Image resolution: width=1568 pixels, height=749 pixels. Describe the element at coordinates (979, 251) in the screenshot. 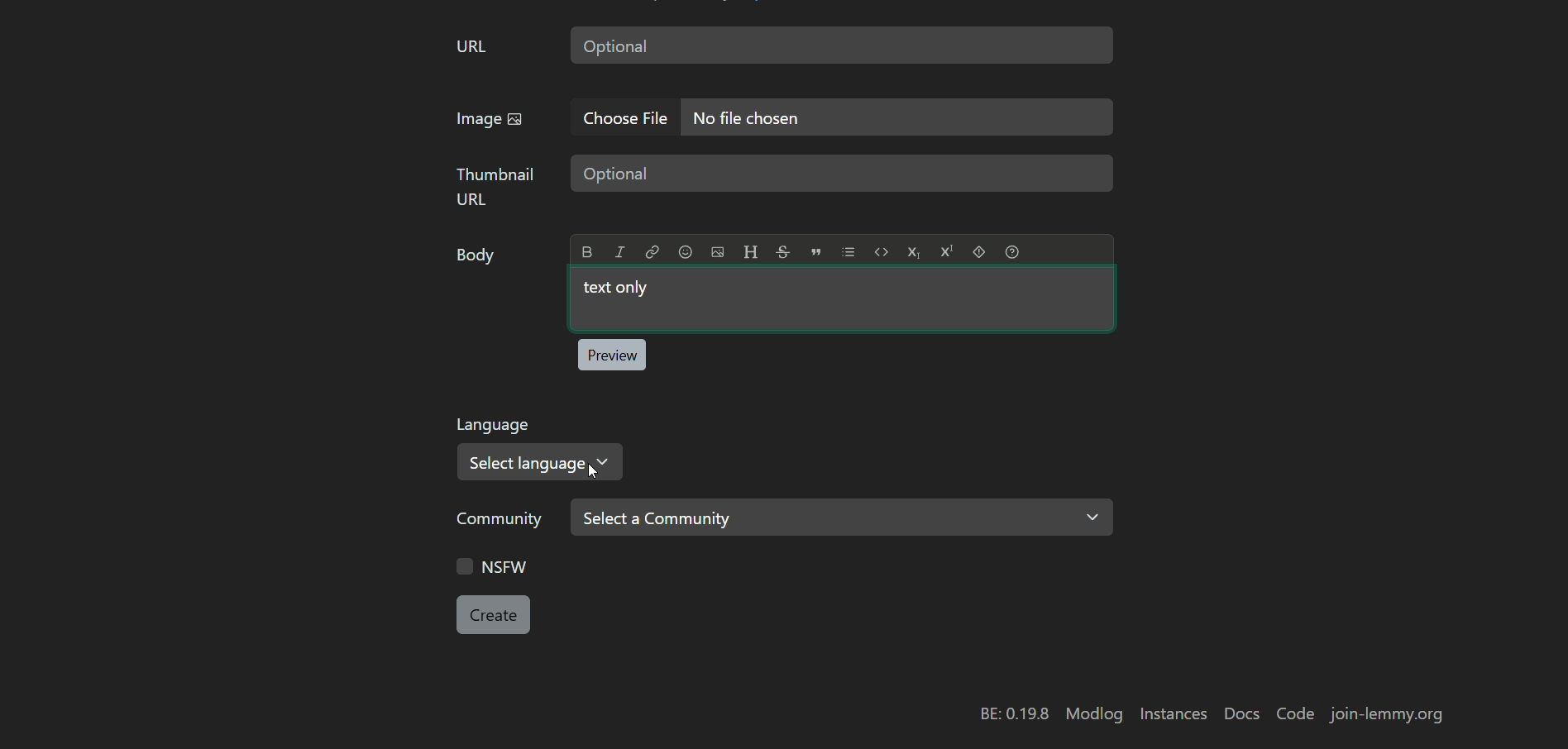

I see `Spoiler` at that location.